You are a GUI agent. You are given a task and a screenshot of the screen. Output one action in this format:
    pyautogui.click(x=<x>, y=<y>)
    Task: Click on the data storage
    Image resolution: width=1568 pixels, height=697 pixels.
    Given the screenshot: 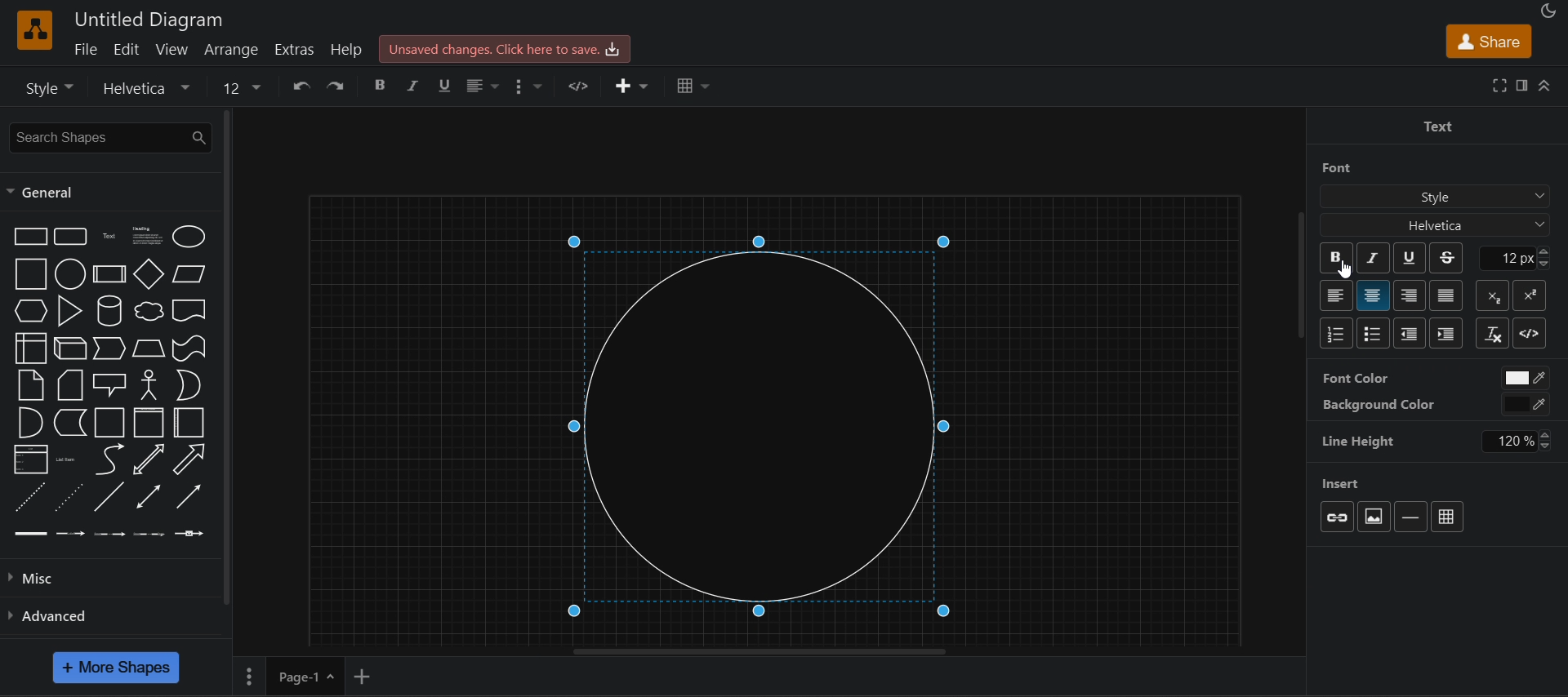 What is the action you would take?
    pyautogui.click(x=72, y=424)
    